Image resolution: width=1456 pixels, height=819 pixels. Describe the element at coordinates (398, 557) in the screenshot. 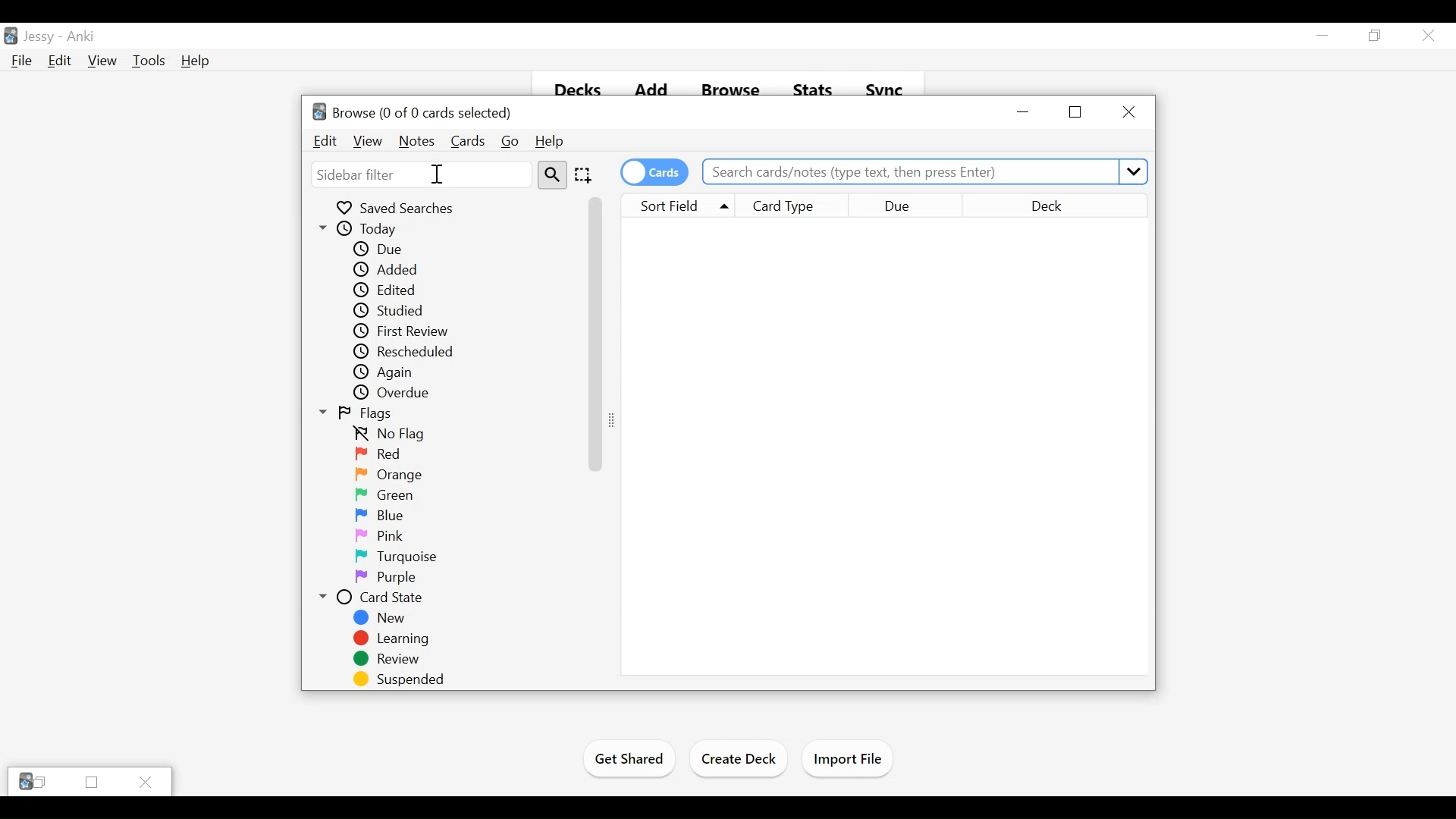

I see `Turquoise` at that location.